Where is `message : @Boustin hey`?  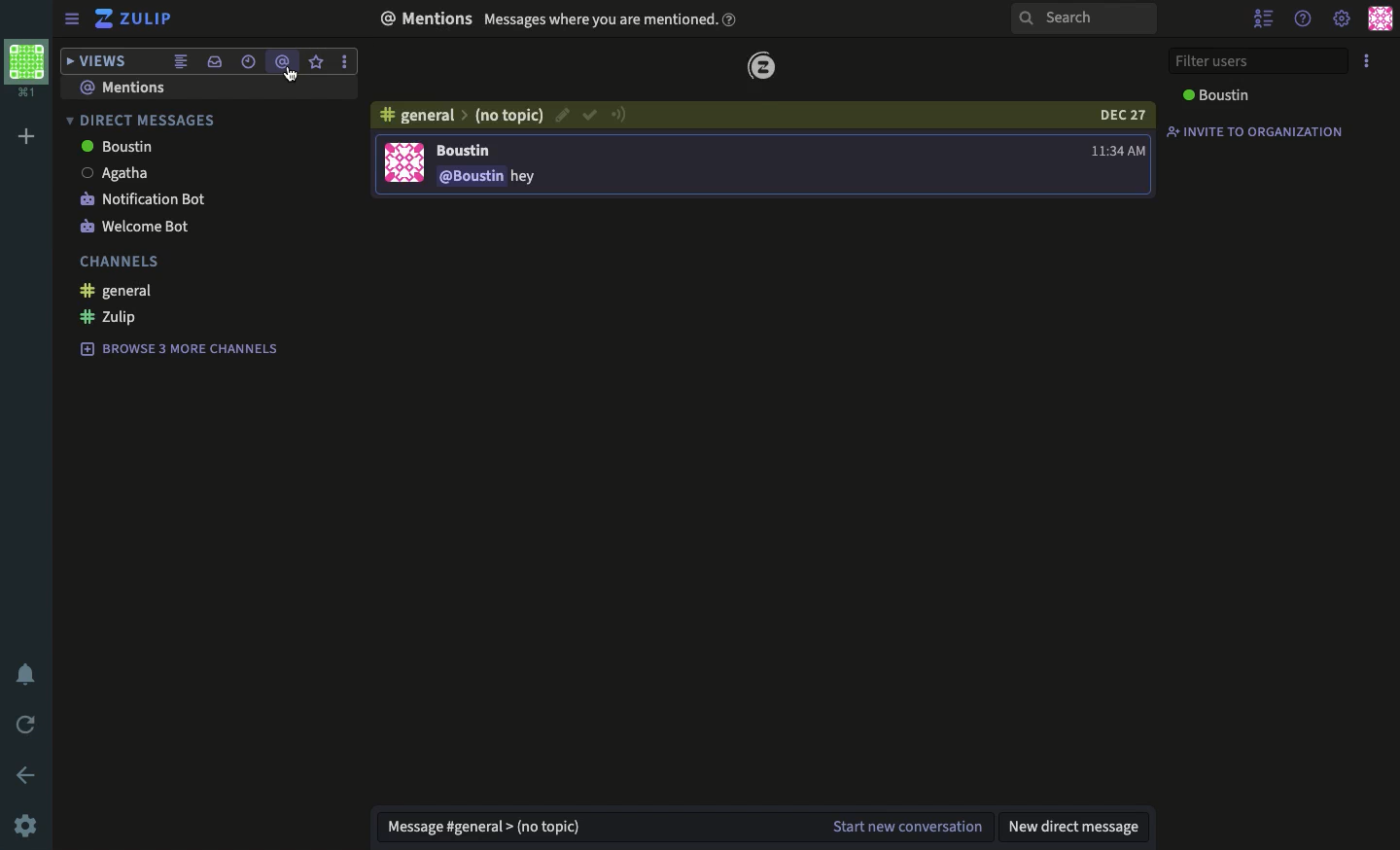 message : @Boustin hey is located at coordinates (488, 179).